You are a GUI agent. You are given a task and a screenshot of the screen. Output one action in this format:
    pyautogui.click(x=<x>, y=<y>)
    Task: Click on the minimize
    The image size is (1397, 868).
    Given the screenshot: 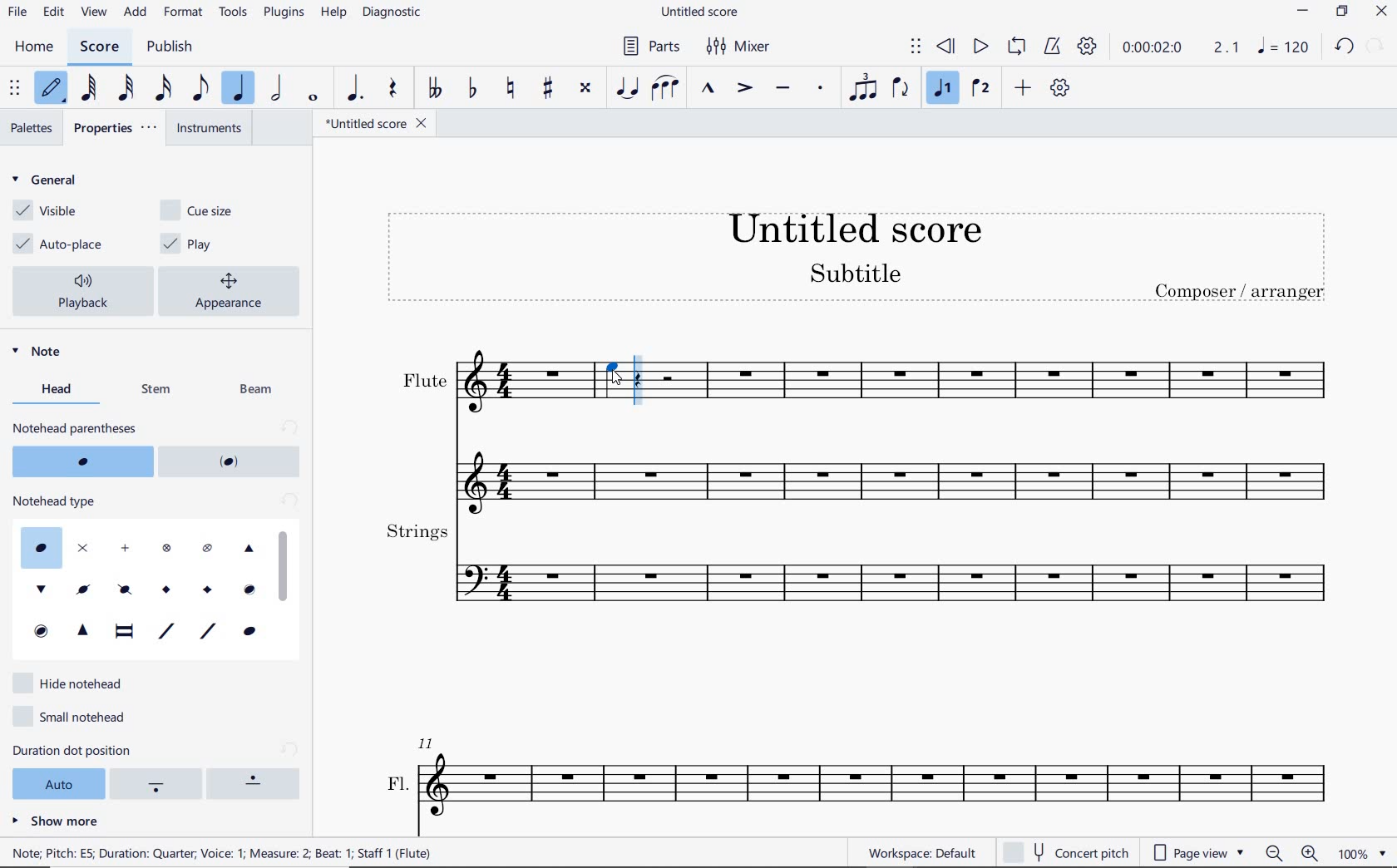 What is the action you would take?
    pyautogui.click(x=1303, y=13)
    